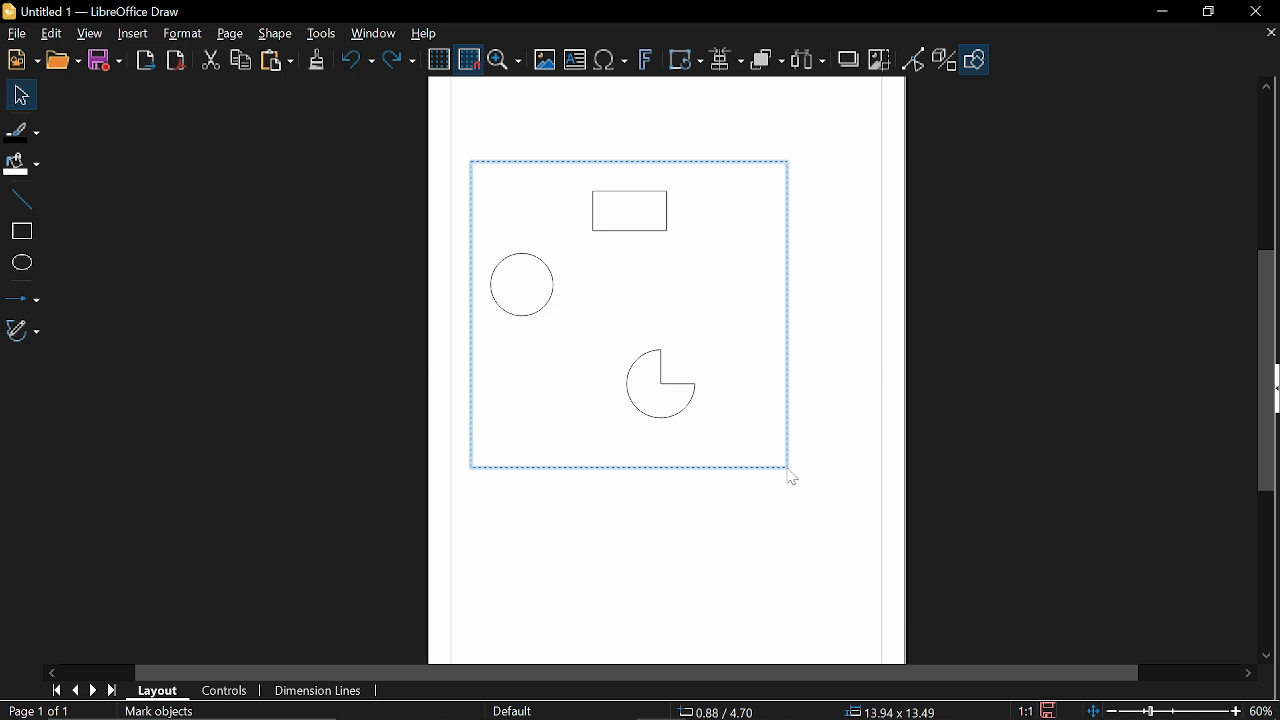  Describe the element at coordinates (810, 61) in the screenshot. I see `Select at least three objects to distribute` at that location.